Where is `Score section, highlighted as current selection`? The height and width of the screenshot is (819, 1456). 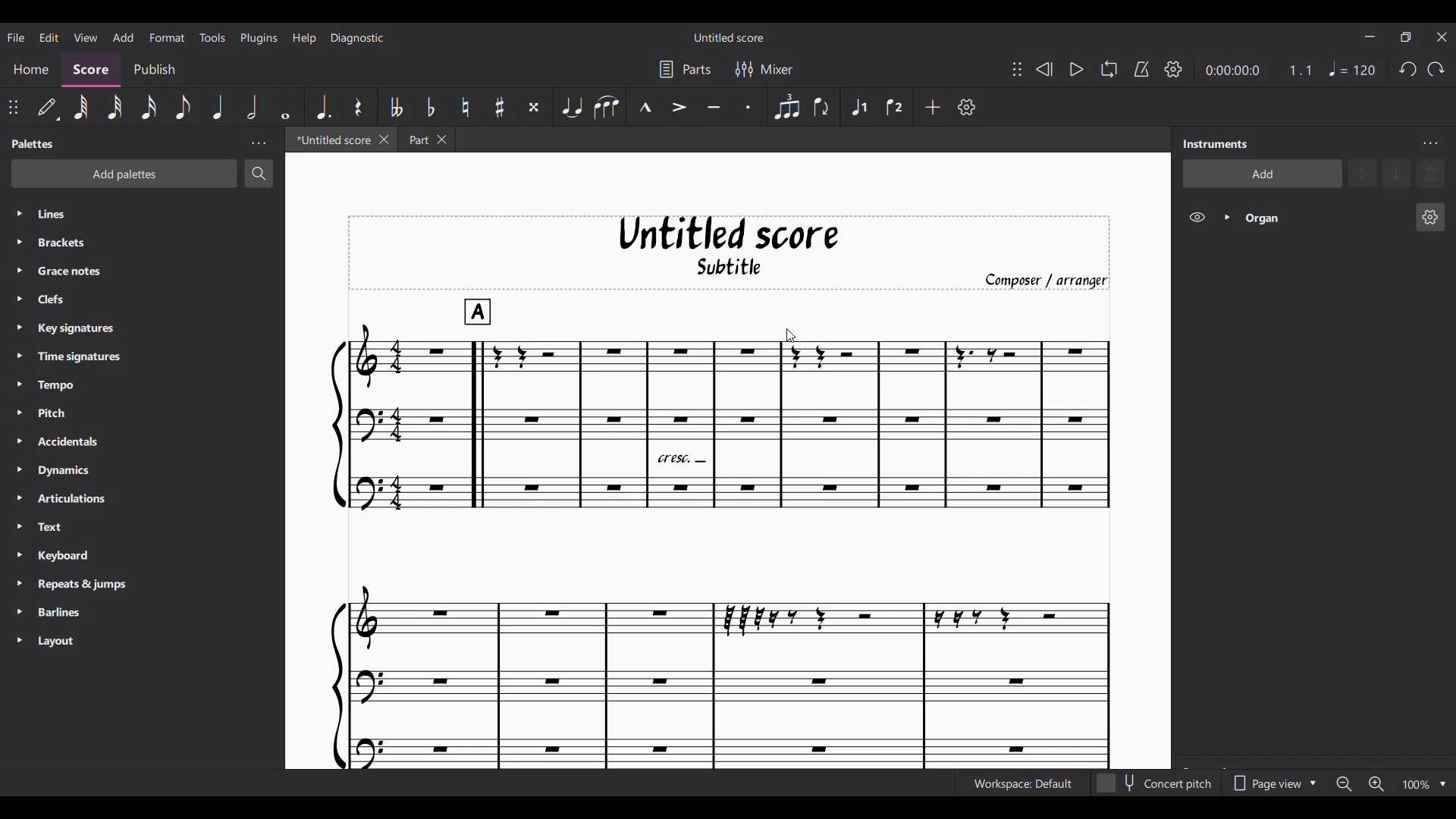
Score section, highlighted as current selection is located at coordinates (90, 70).